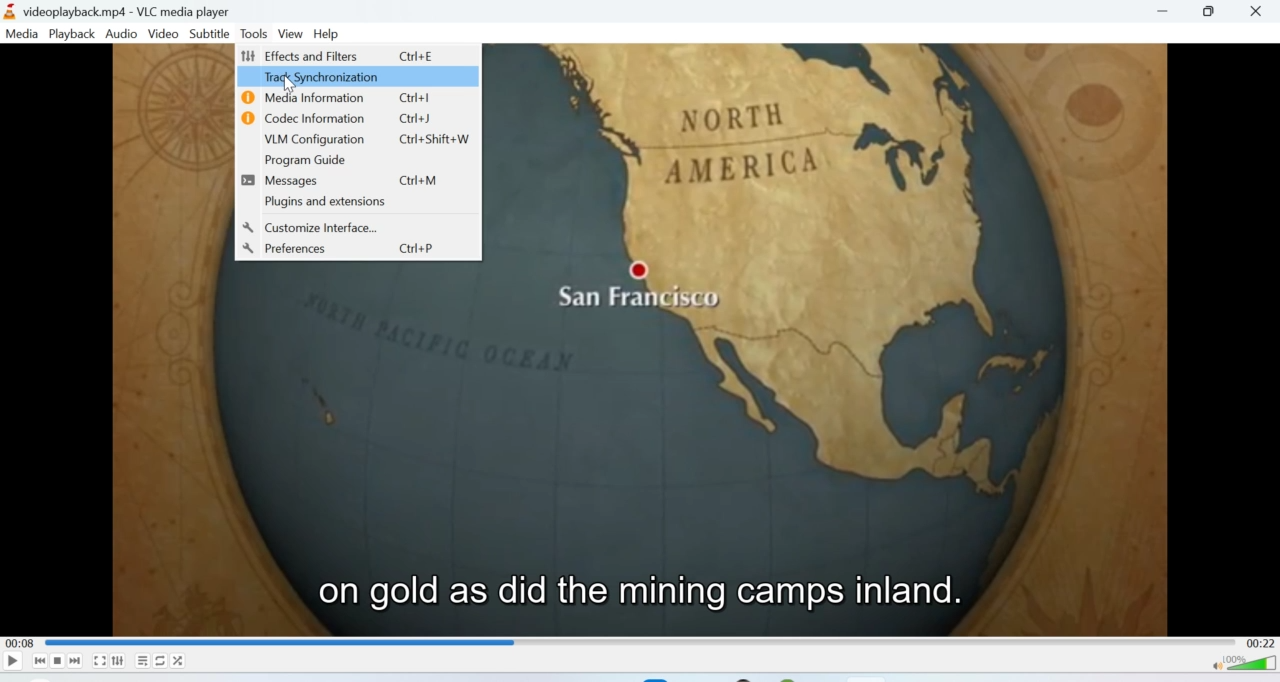 The width and height of the screenshot is (1280, 682). Describe the element at coordinates (40, 660) in the screenshot. I see `Seek backwards` at that location.